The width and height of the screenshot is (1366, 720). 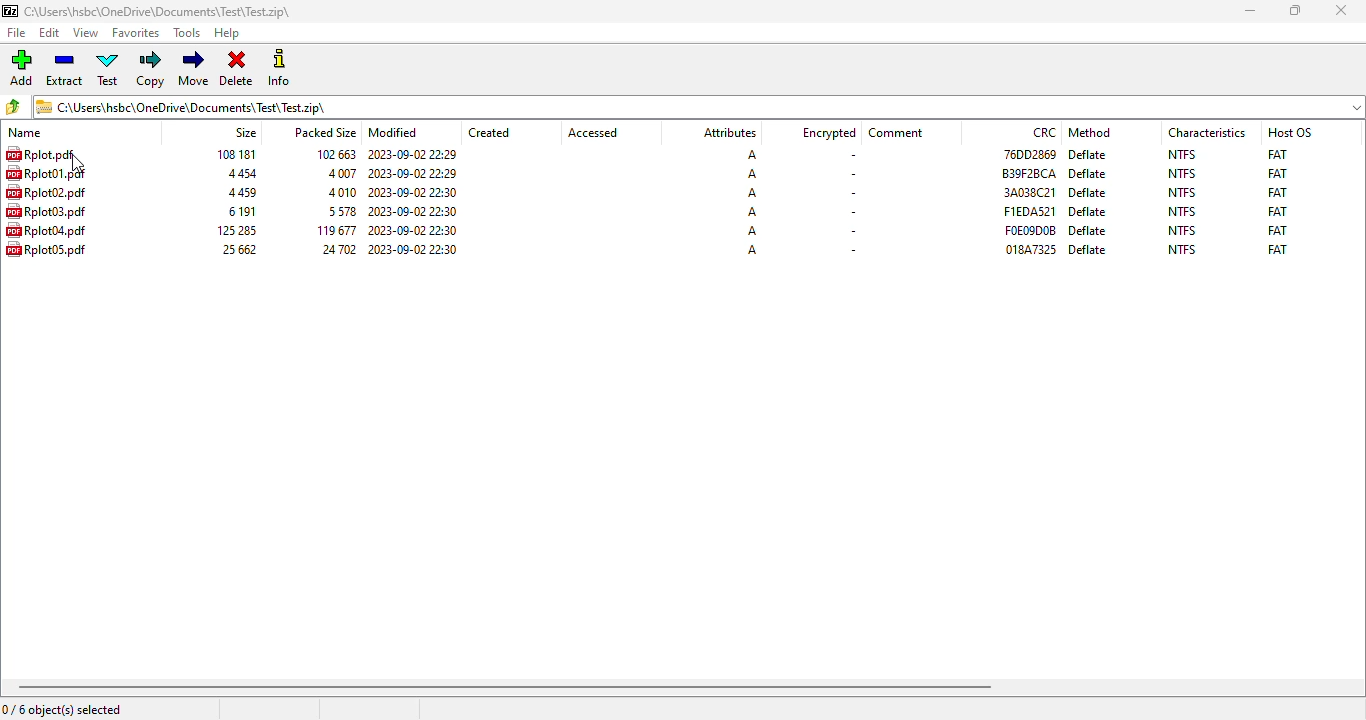 What do you see at coordinates (413, 248) in the screenshot?
I see `modified date & time` at bounding box center [413, 248].